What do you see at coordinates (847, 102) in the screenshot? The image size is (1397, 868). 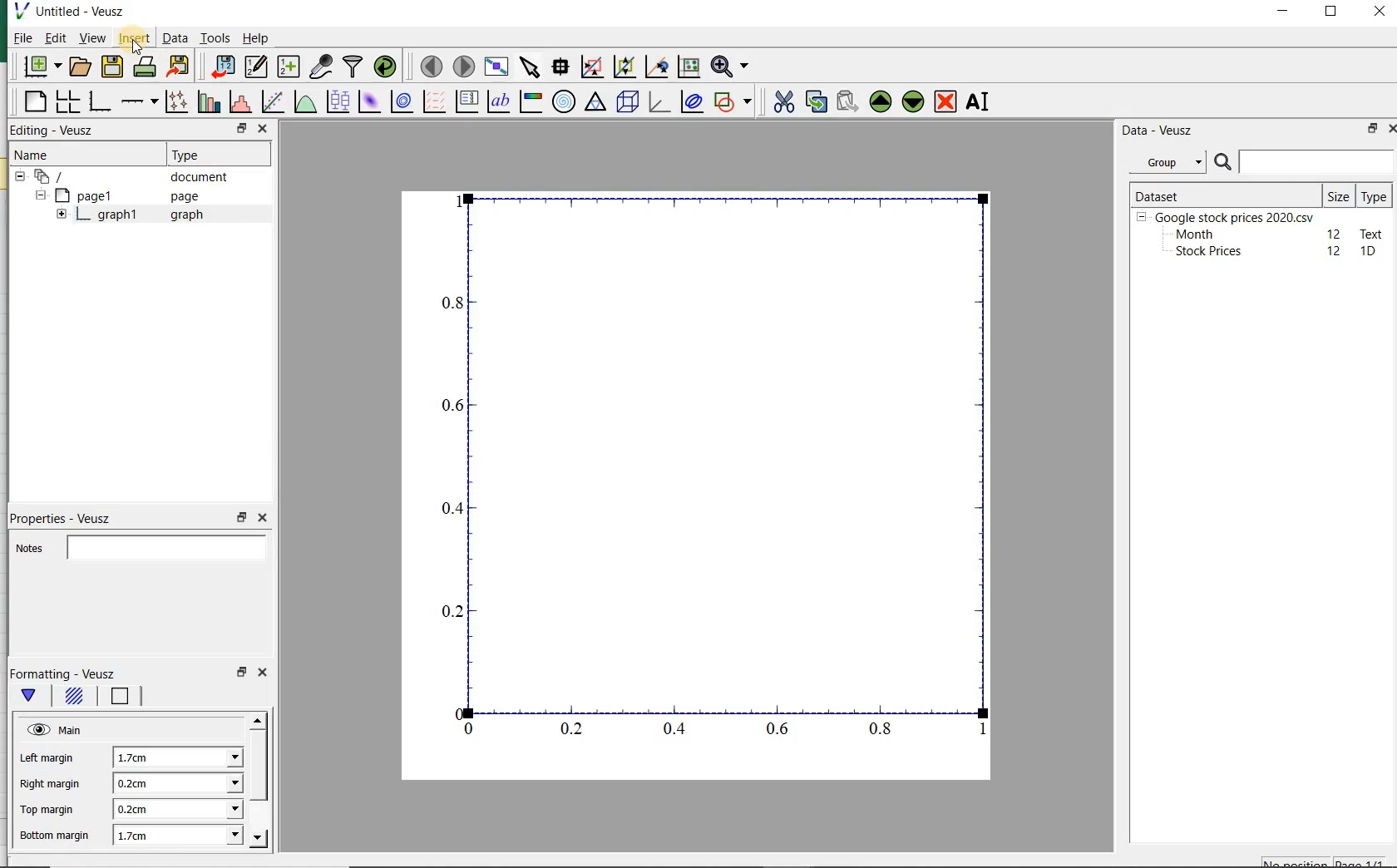 I see `paste widget from the clipboard` at bounding box center [847, 102].